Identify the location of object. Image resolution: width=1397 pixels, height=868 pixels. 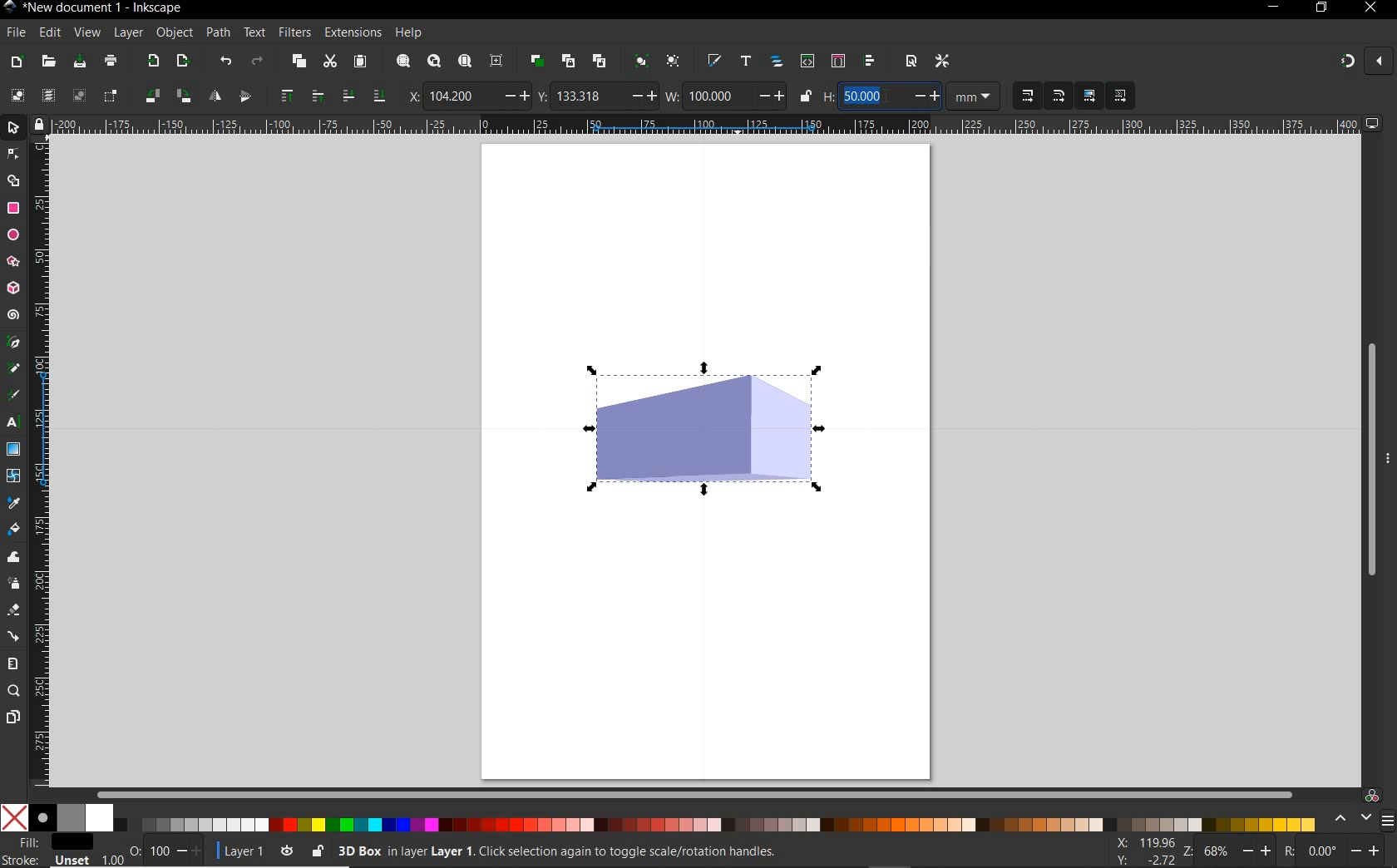
(174, 33).